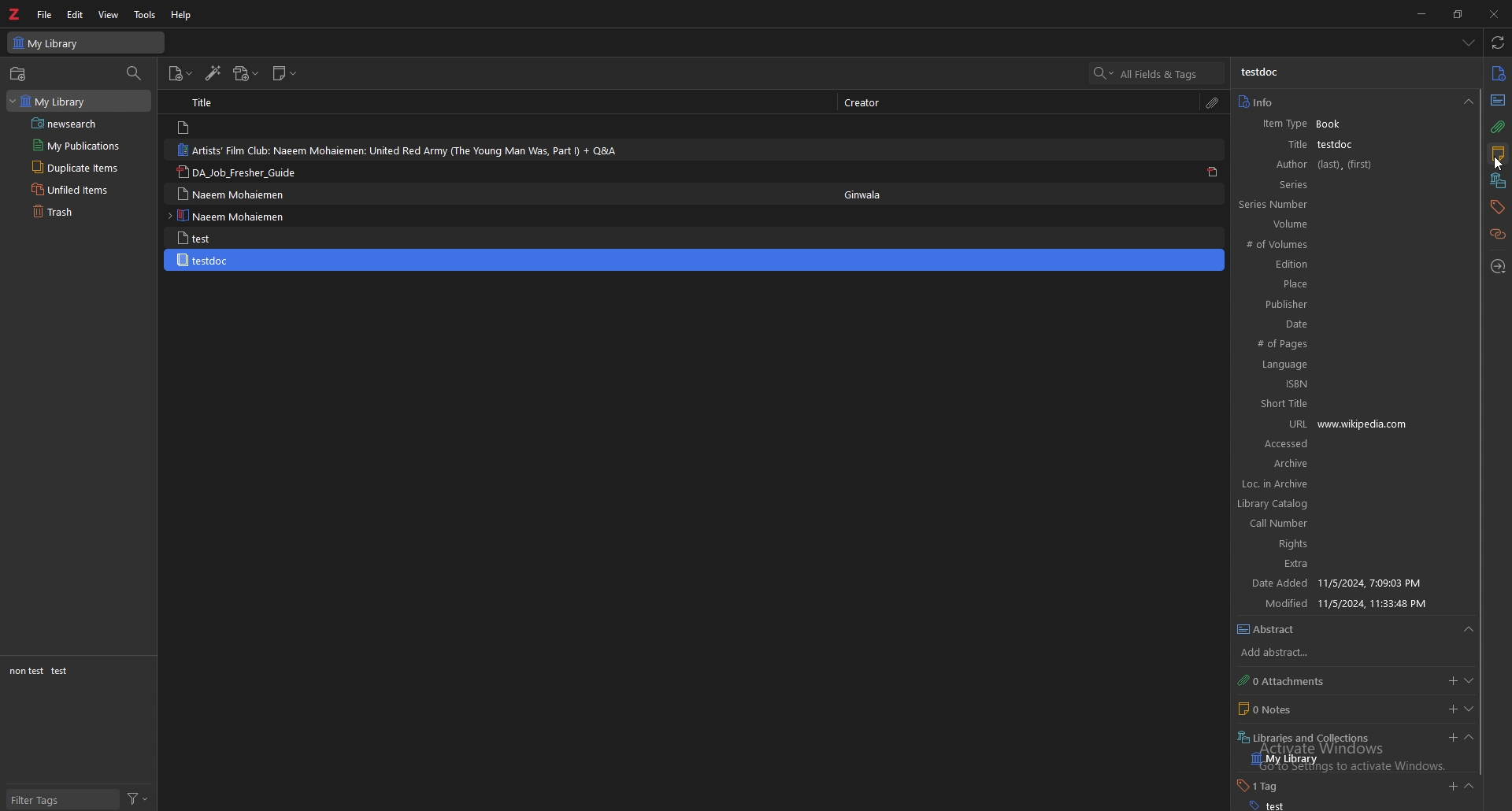 This screenshot has height=811, width=1512. What do you see at coordinates (1281, 630) in the screenshot?
I see `abstract` at bounding box center [1281, 630].